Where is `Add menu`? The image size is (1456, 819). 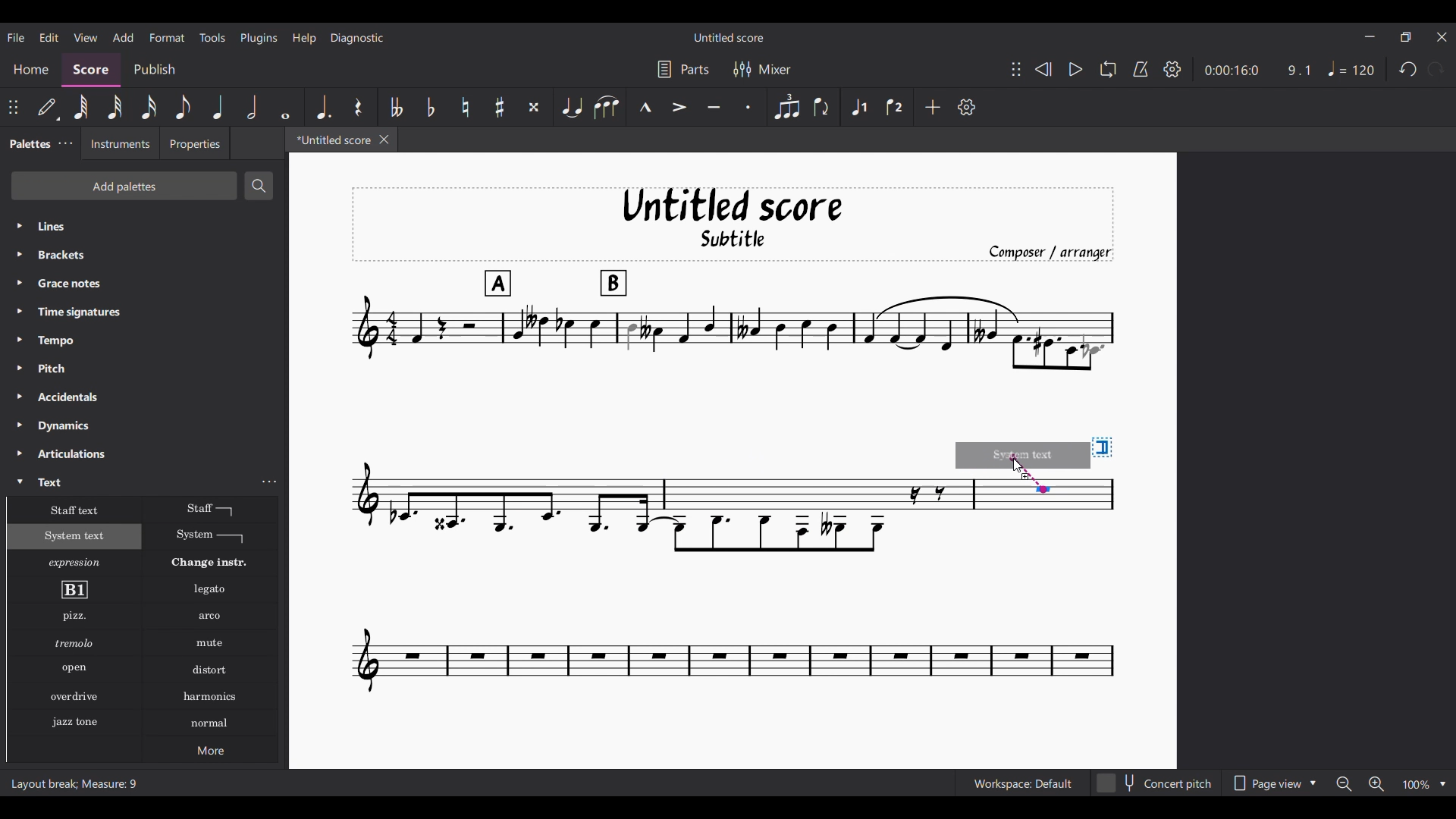
Add menu is located at coordinates (124, 37).